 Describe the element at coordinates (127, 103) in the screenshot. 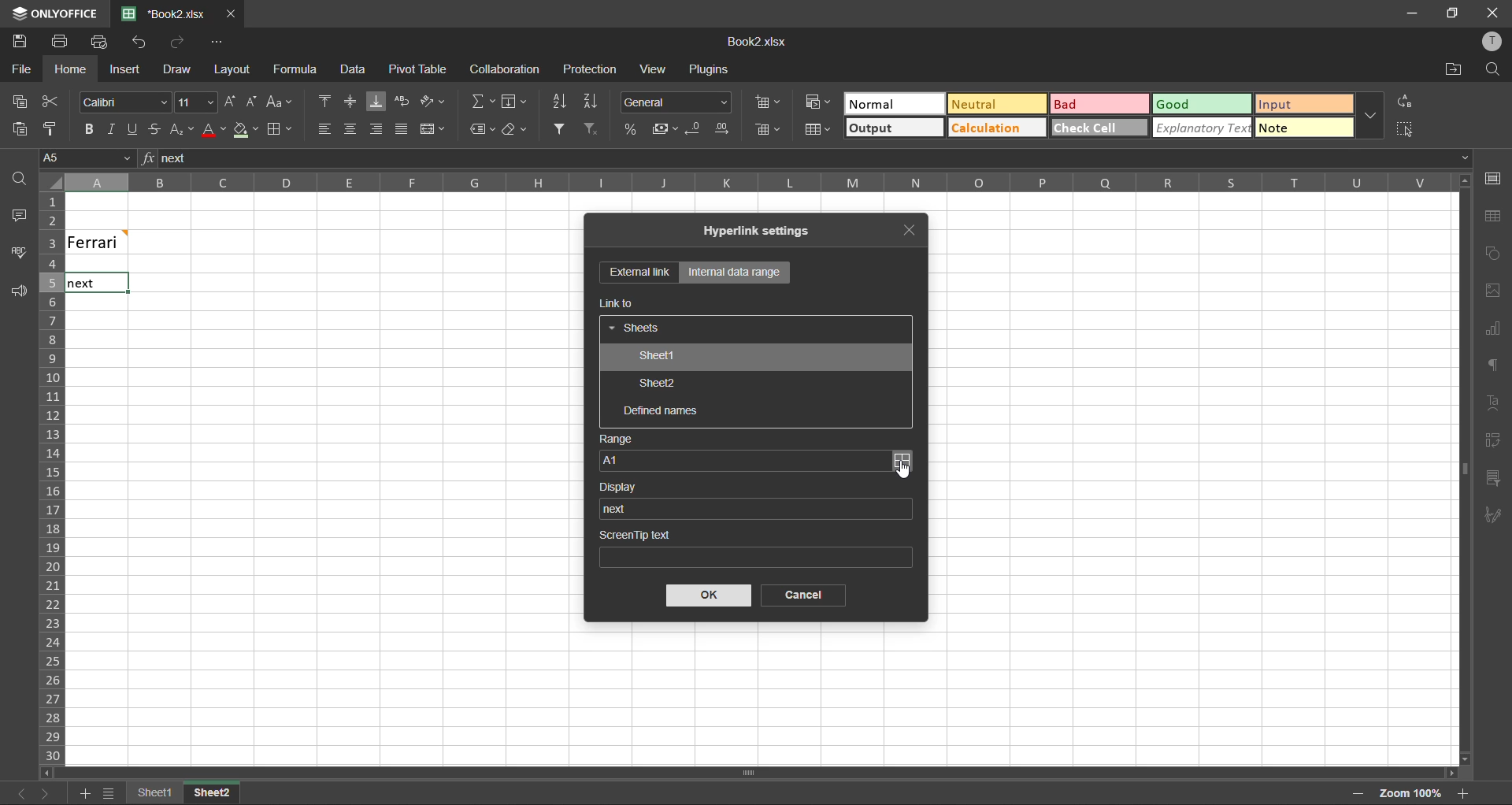

I see `font style` at that location.